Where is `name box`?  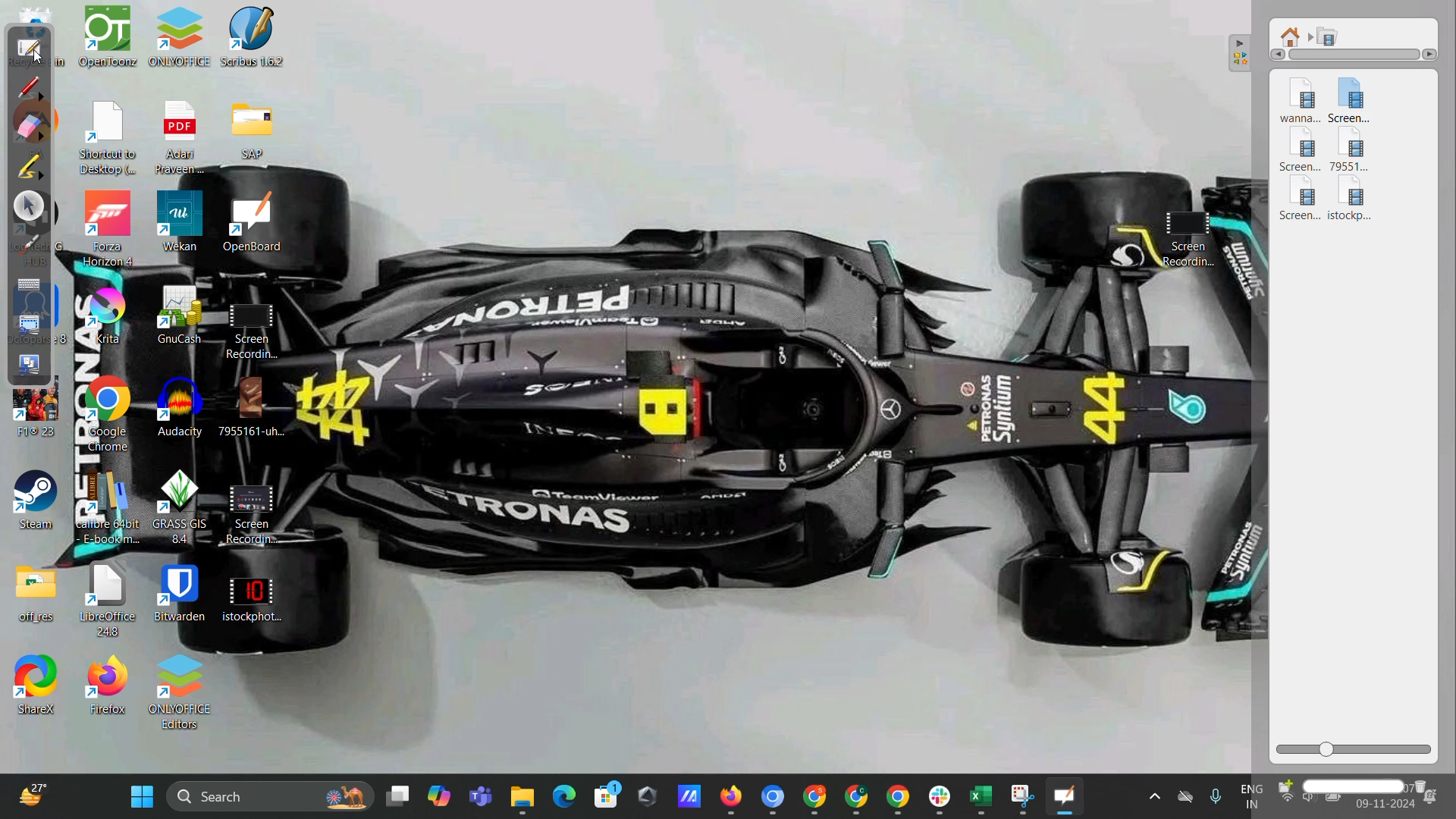 name box is located at coordinates (1355, 787).